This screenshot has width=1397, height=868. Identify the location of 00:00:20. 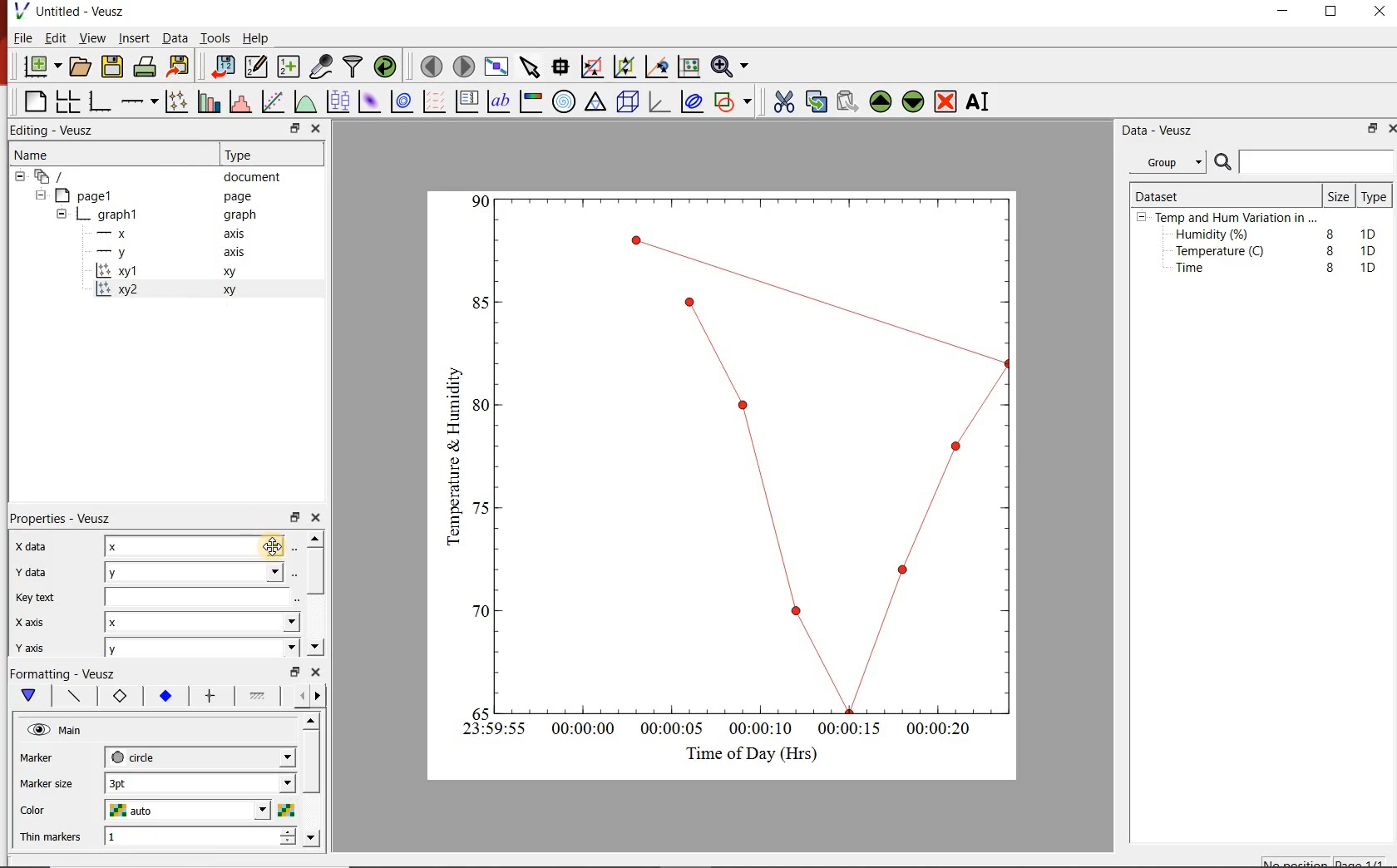
(945, 730).